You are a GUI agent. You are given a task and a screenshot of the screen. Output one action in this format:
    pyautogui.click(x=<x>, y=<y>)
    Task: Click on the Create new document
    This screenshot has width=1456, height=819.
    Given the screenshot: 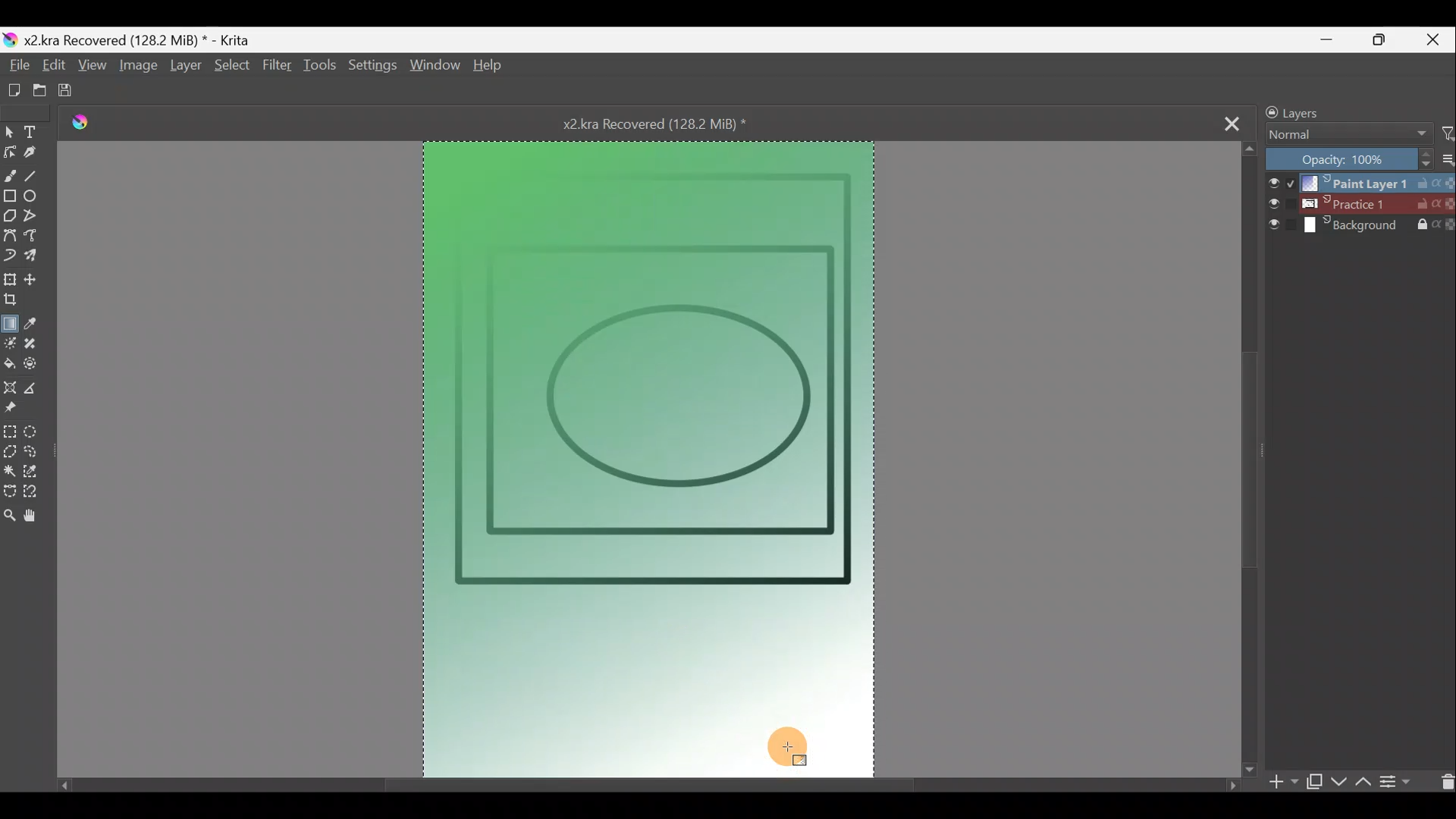 What is the action you would take?
    pyautogui.click(x=10, y=90)
    